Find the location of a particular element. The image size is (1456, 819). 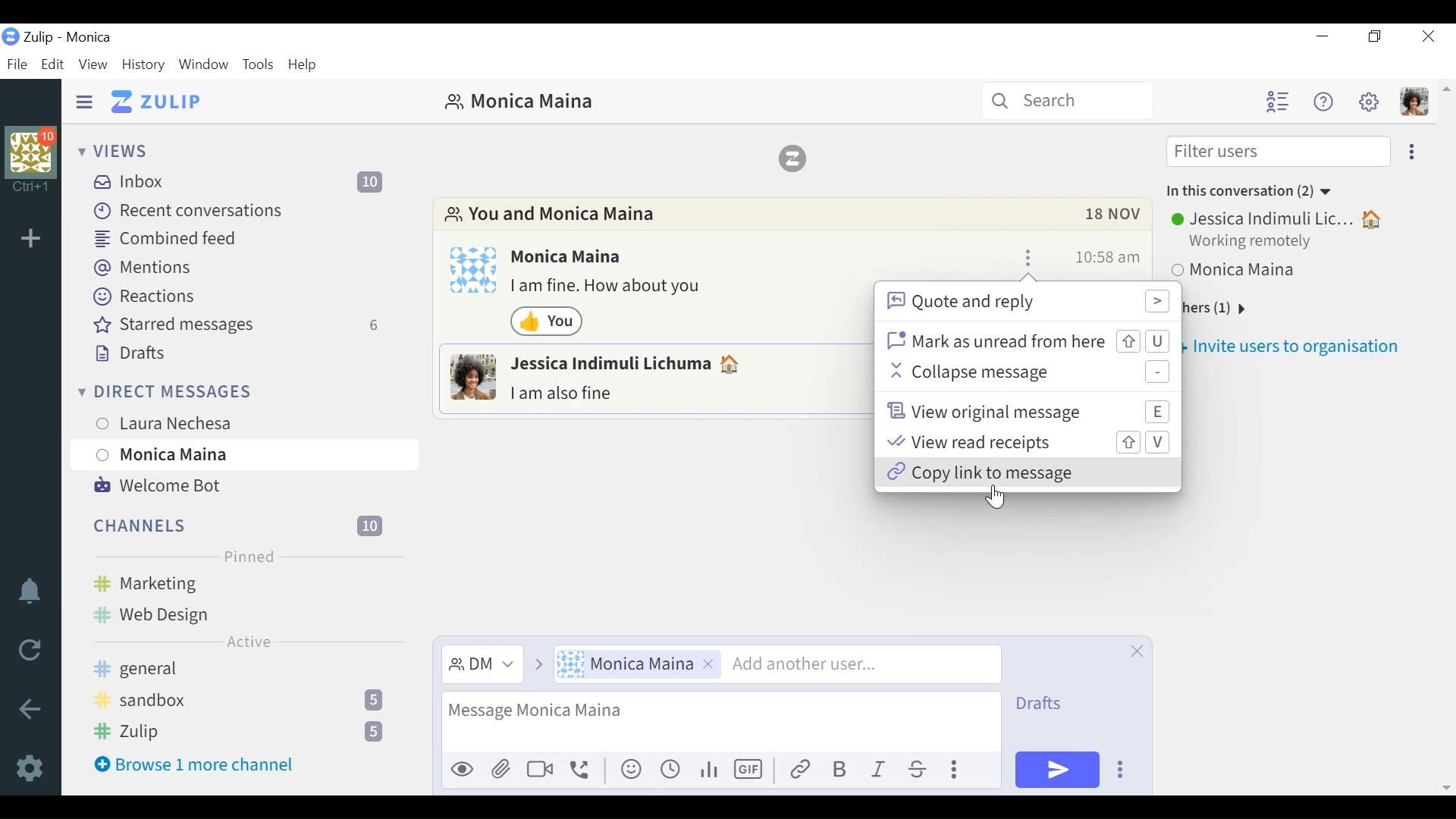

Monica Maina is located at coordinates (1252, 274).